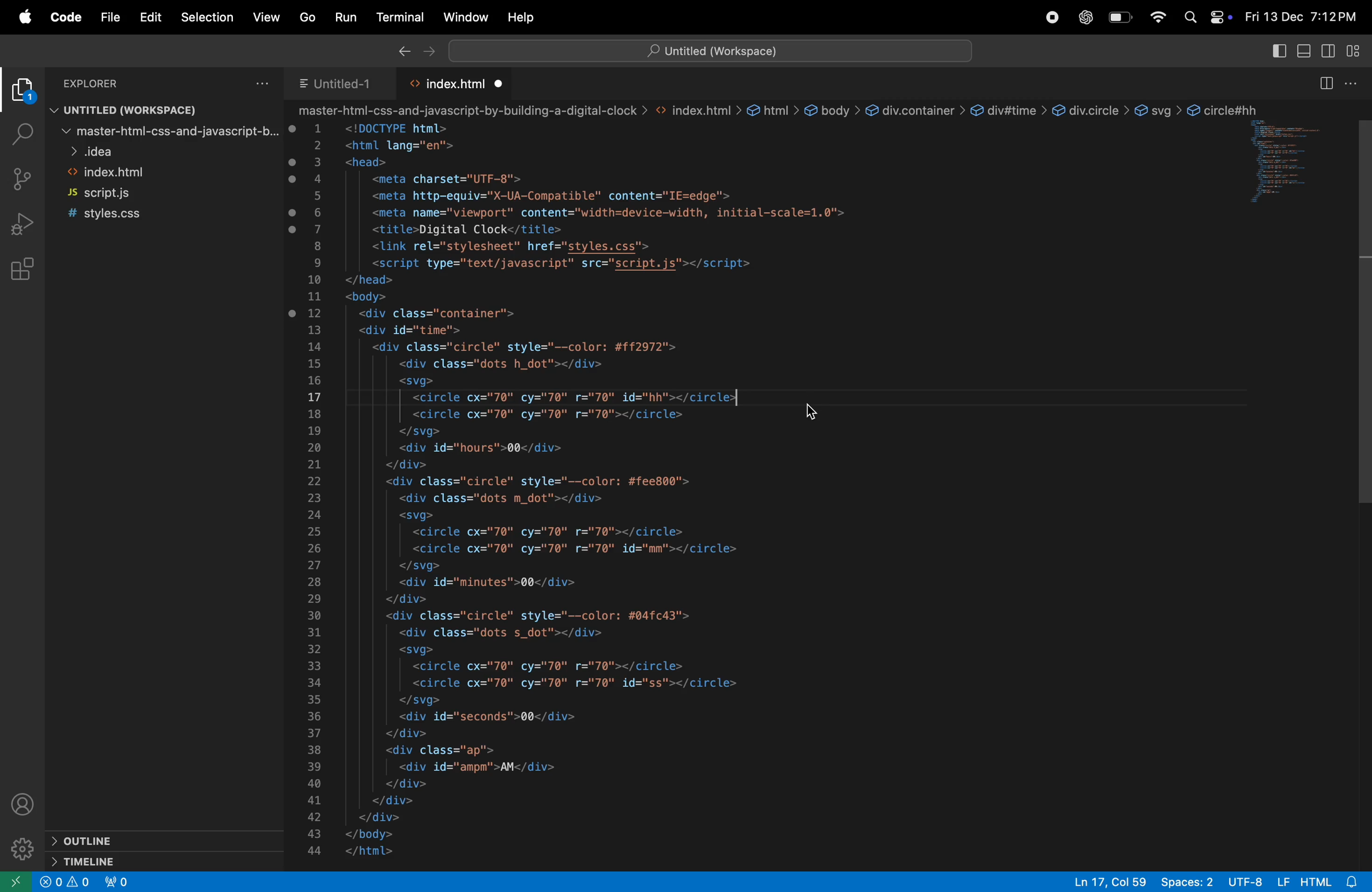  Describe the element at coordinates (1055, 17) in the screenshot. I see `record` at that location.